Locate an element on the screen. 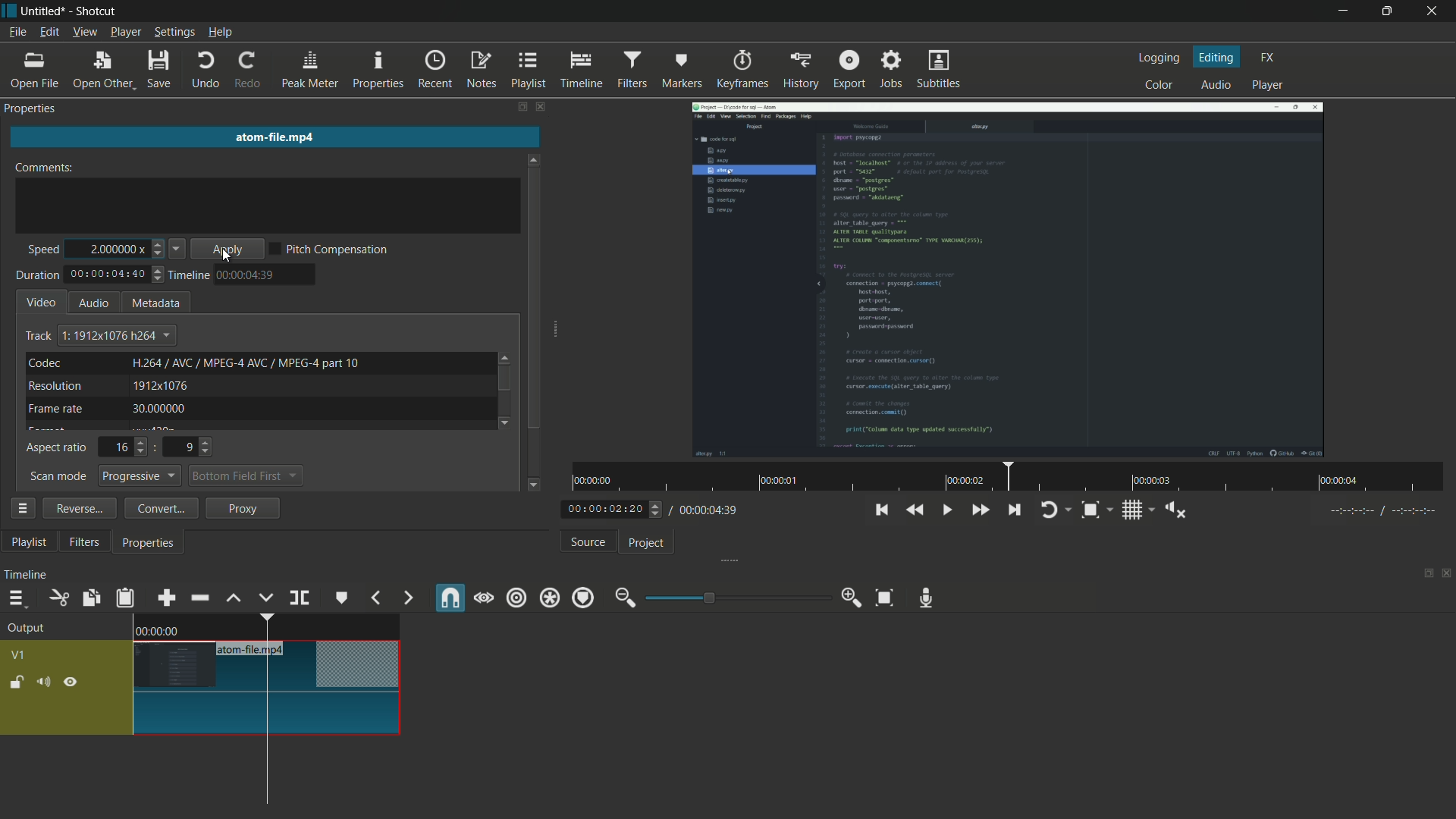  properties is located at coordinates (151, 542).